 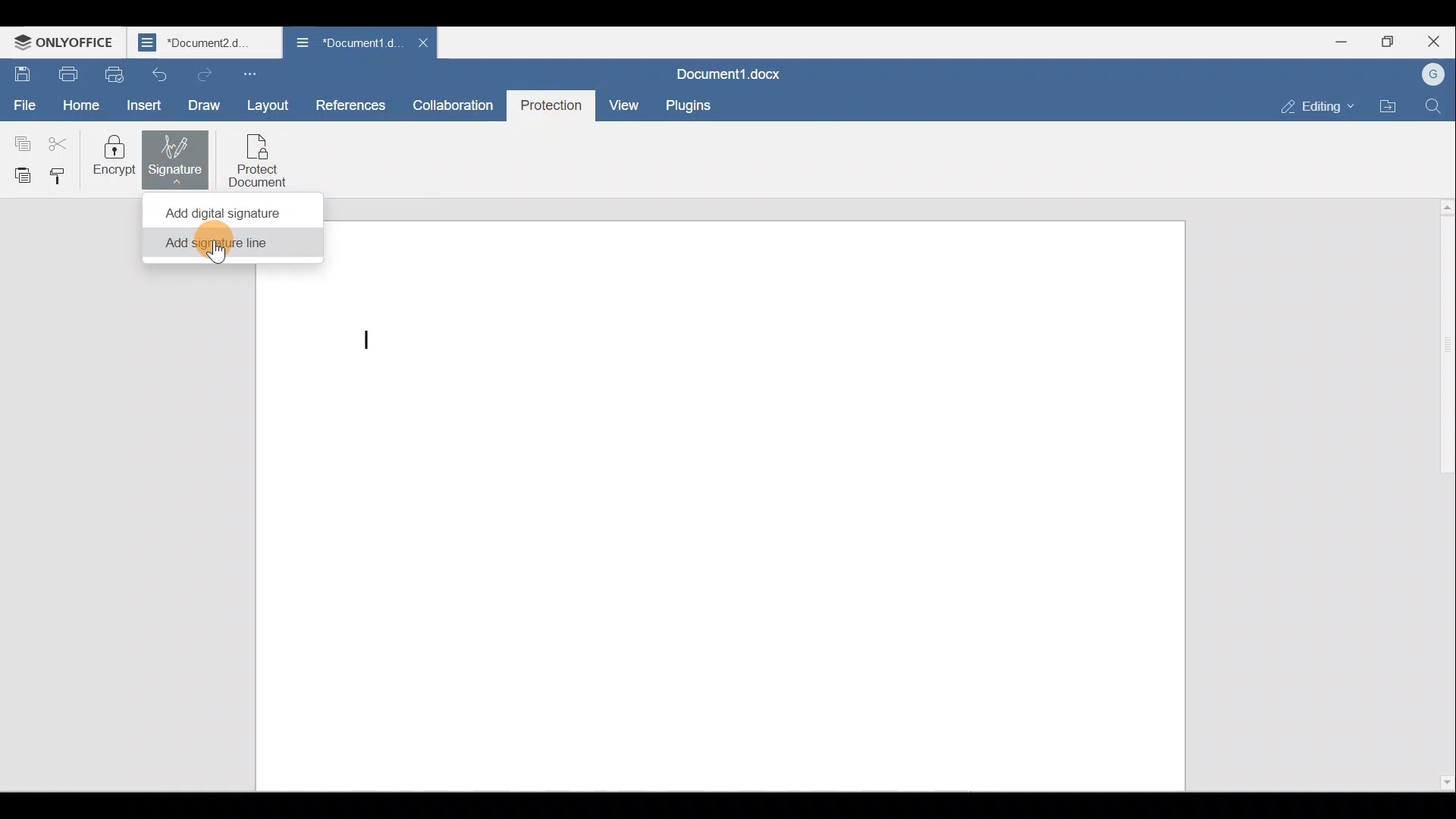 What do you see at coordinates (1386, 38) in the screenshot?
I see `Maximize` at bounding box center [1386, 38].